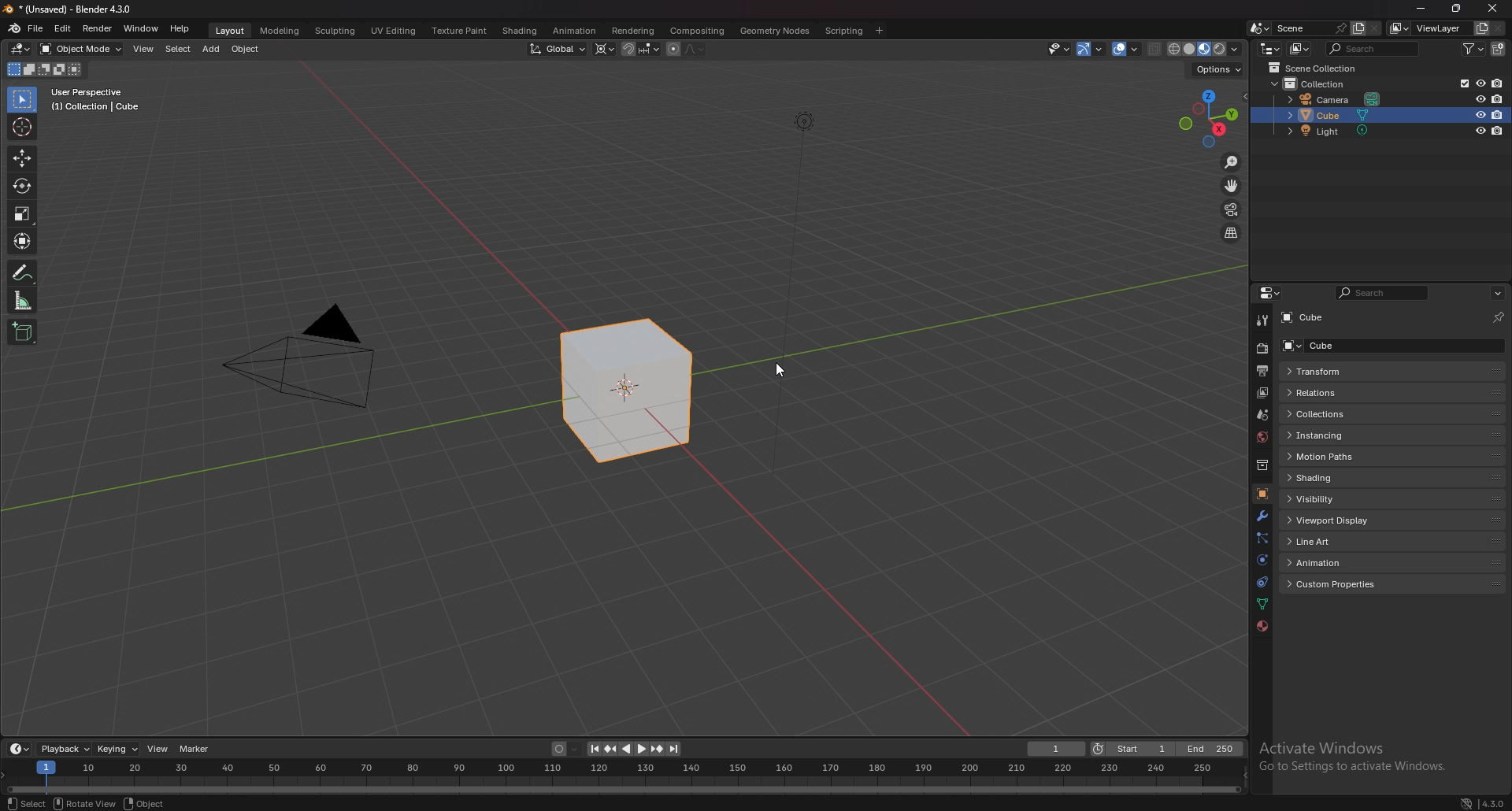 Image resolution: width=1512 pixels, height=811 pixels. I want to click on view layer, so click(1427, 28).